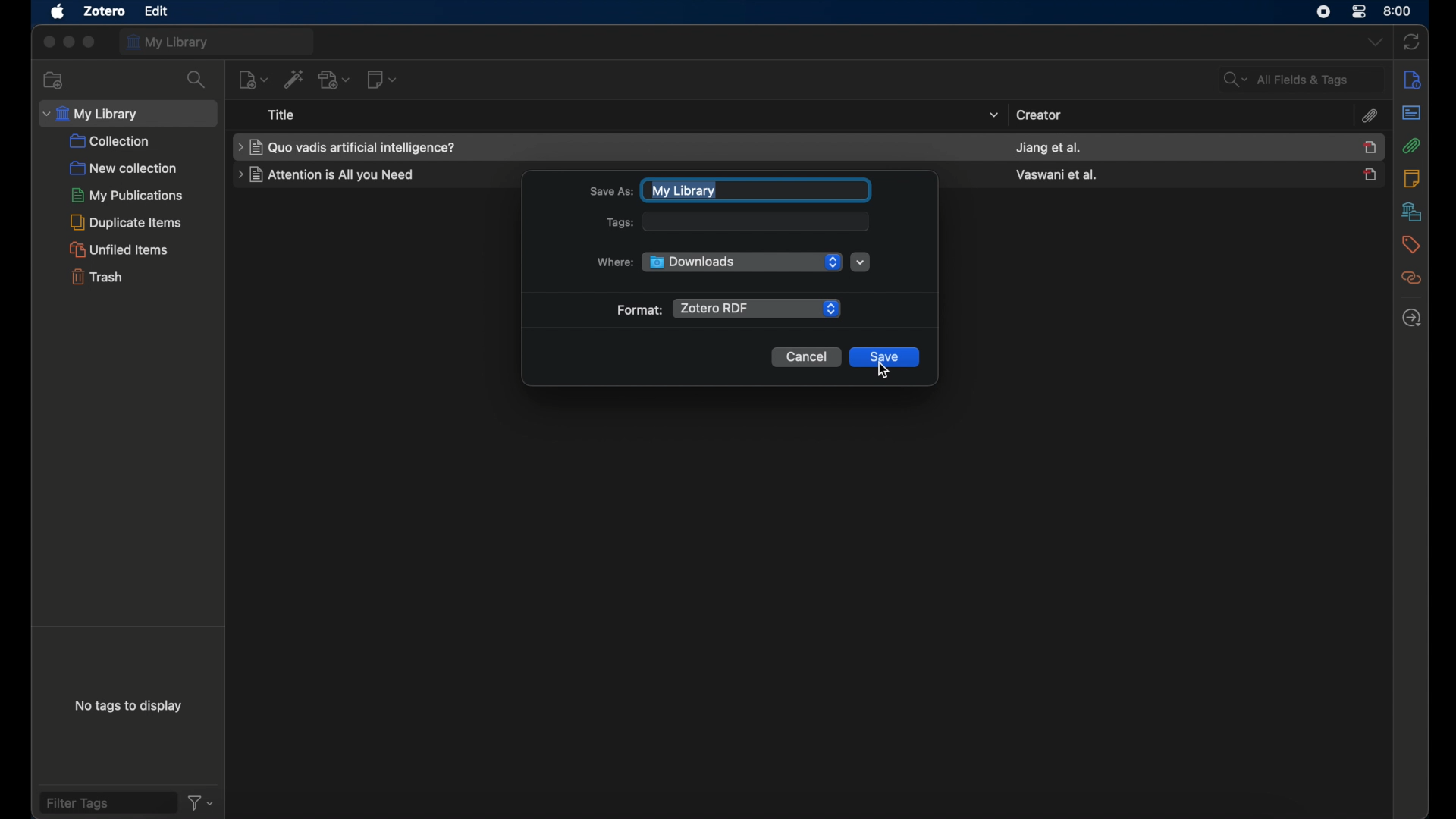 This screenshot has width=1456, height=819. What do you see at coordinates (127, 114) in the screenshot?
I see `my library dropdown ` at bounding box center [127, 114].